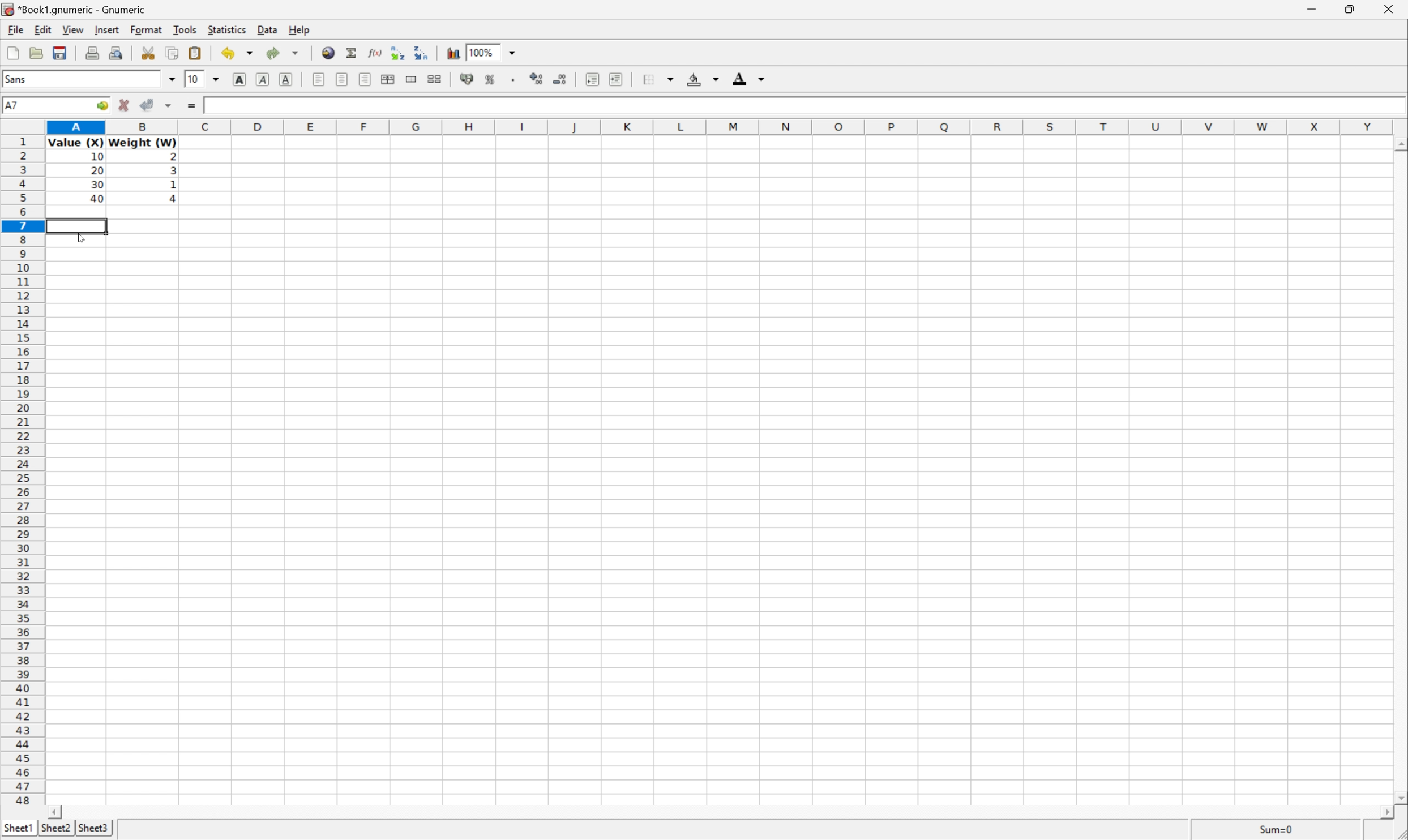  What do you see at coordinates (14, 30) in the screenshot?
I see `File` at bounding box center [14, 30].